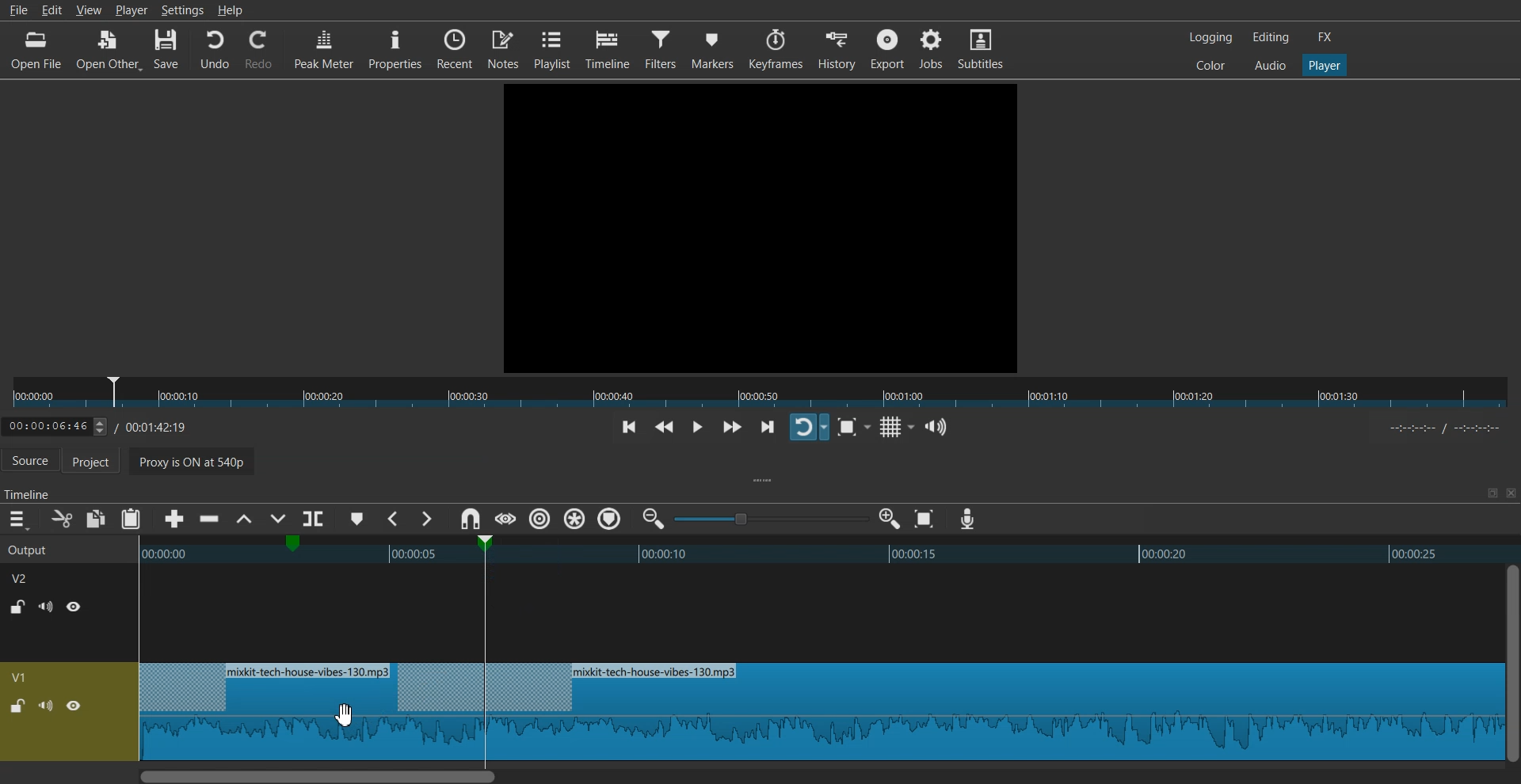 The width and height of the screenshot is (1521, 784). Describe the element at coordinates (936, 428) in the screenshot. I see `Show the volume control` at that location.